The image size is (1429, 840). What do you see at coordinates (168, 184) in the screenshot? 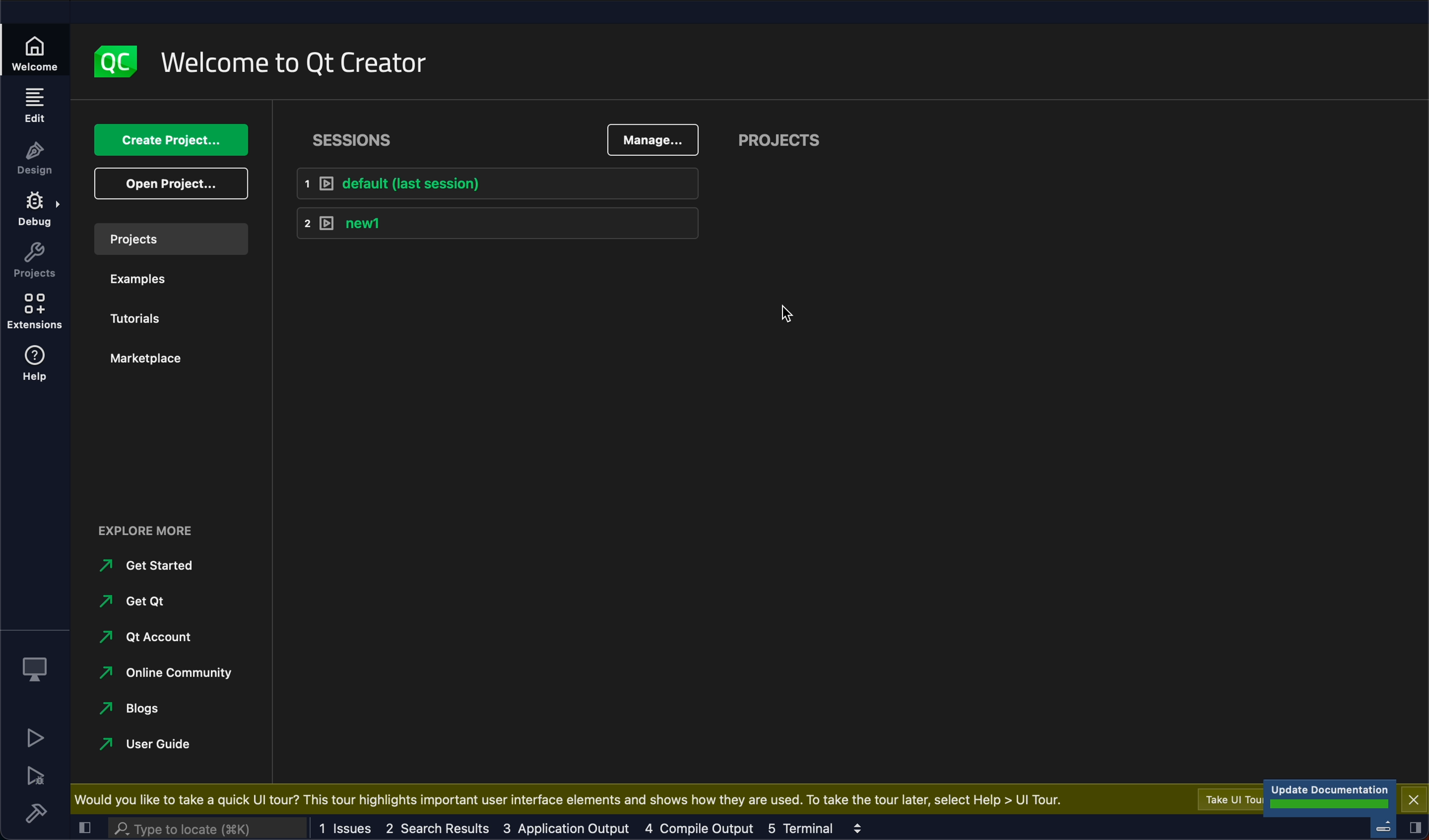
I see `open` at bounding box center [168, 184].